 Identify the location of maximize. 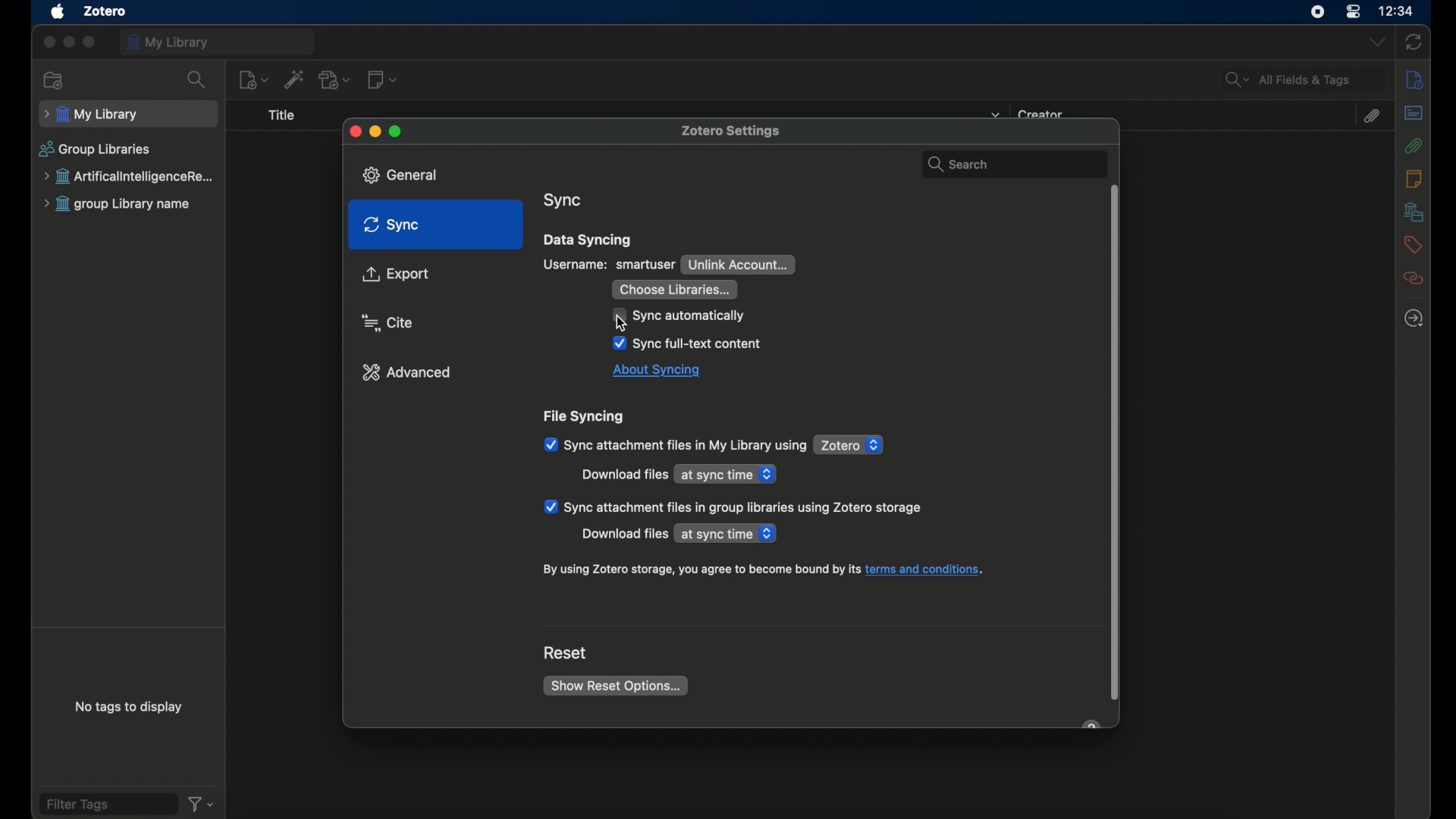
(90, 42).